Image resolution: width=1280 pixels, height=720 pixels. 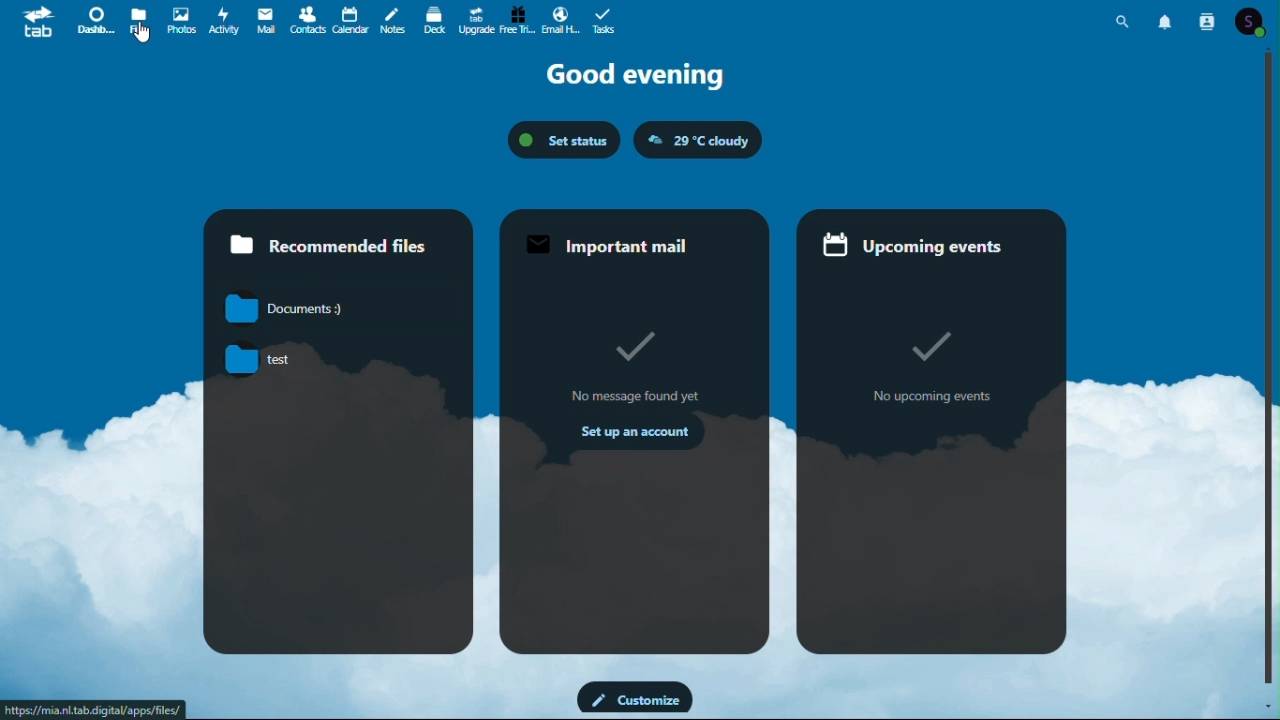 What do you see at coordinates (34, 22) in the screenshot?
I see `tab` at bounding box center [34, 22].